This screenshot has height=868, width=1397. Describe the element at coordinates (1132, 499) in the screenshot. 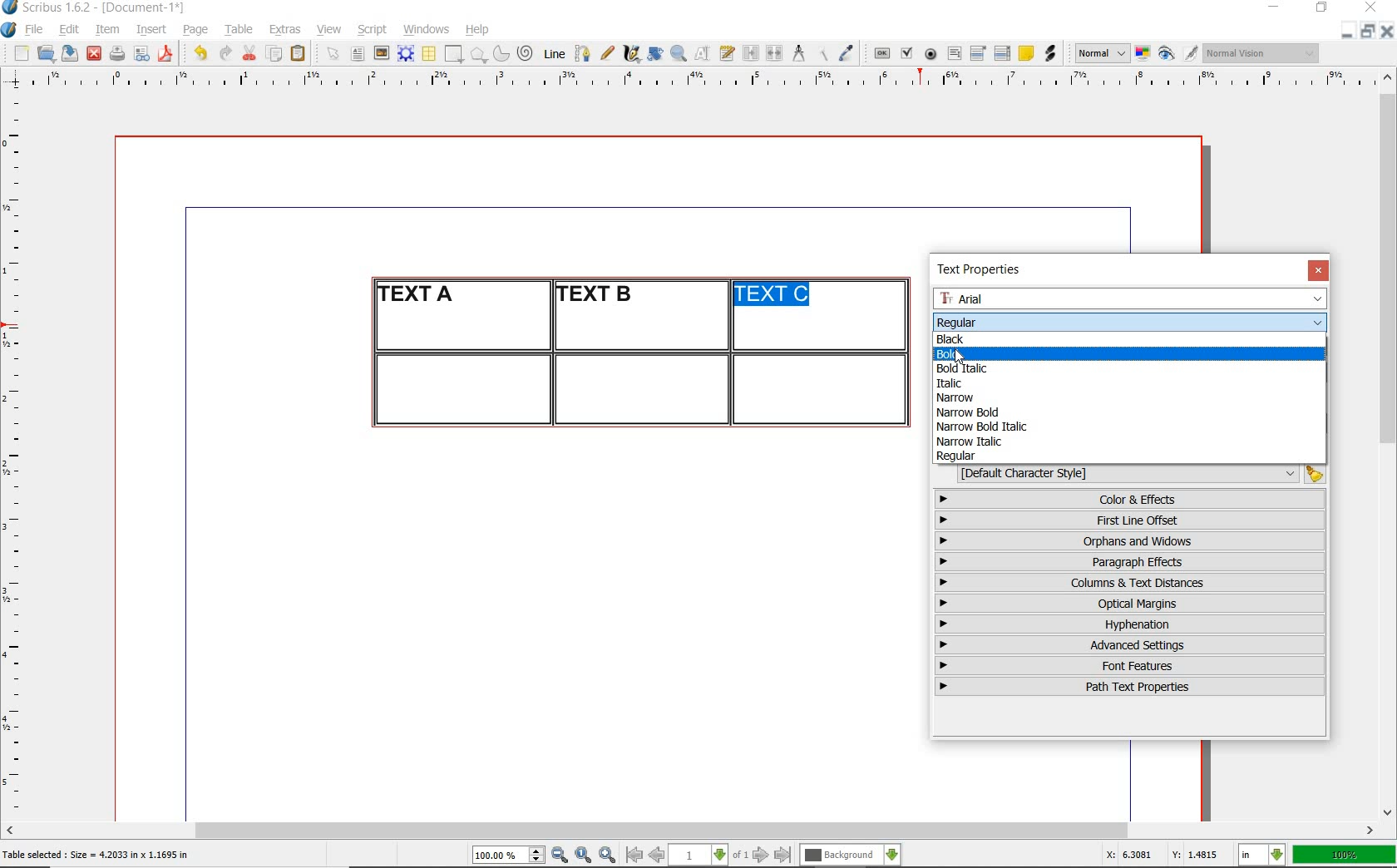

I see `color & effects` at that location.